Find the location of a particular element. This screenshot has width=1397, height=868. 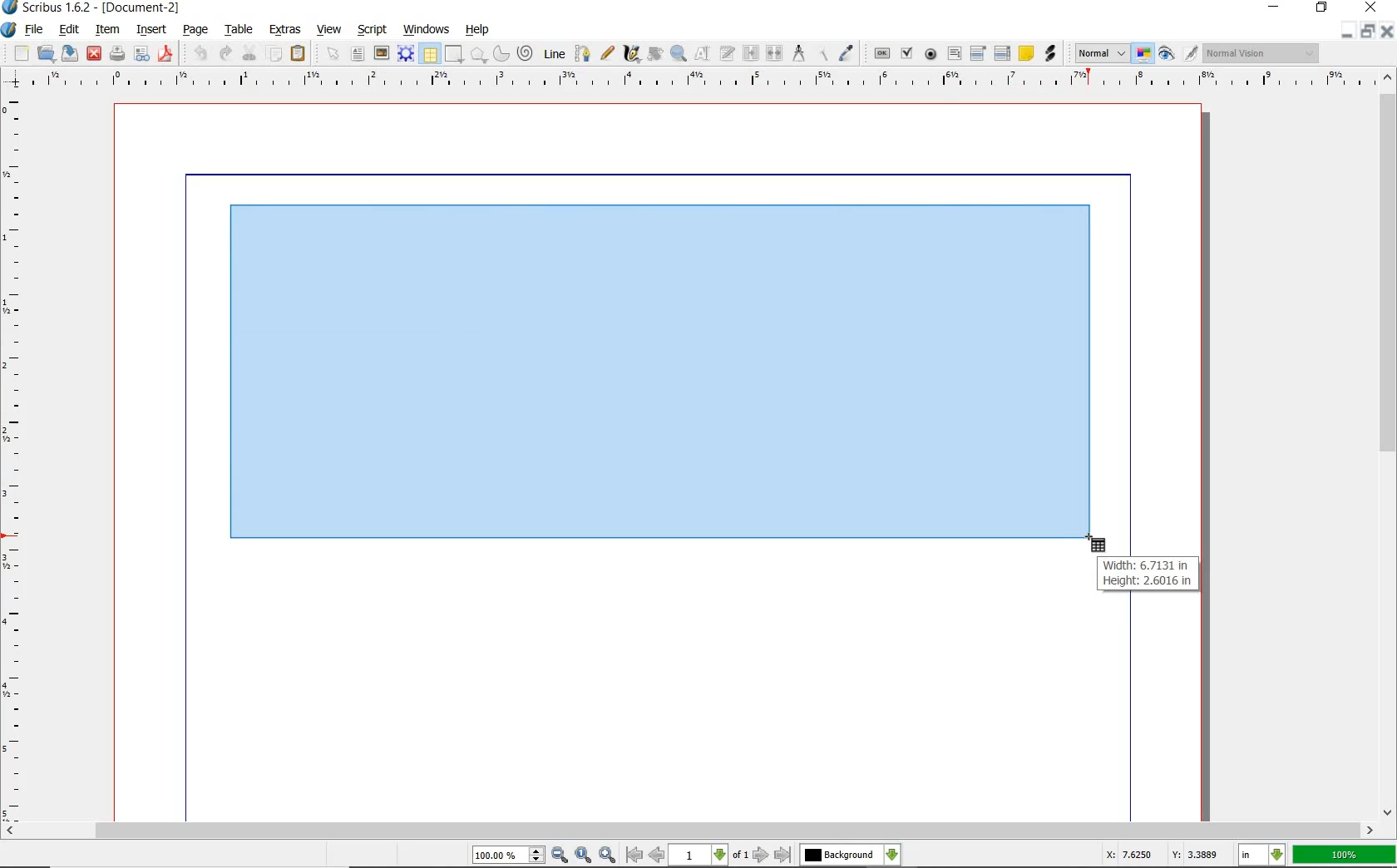

preview mode is located at coordinates (1164, 55).